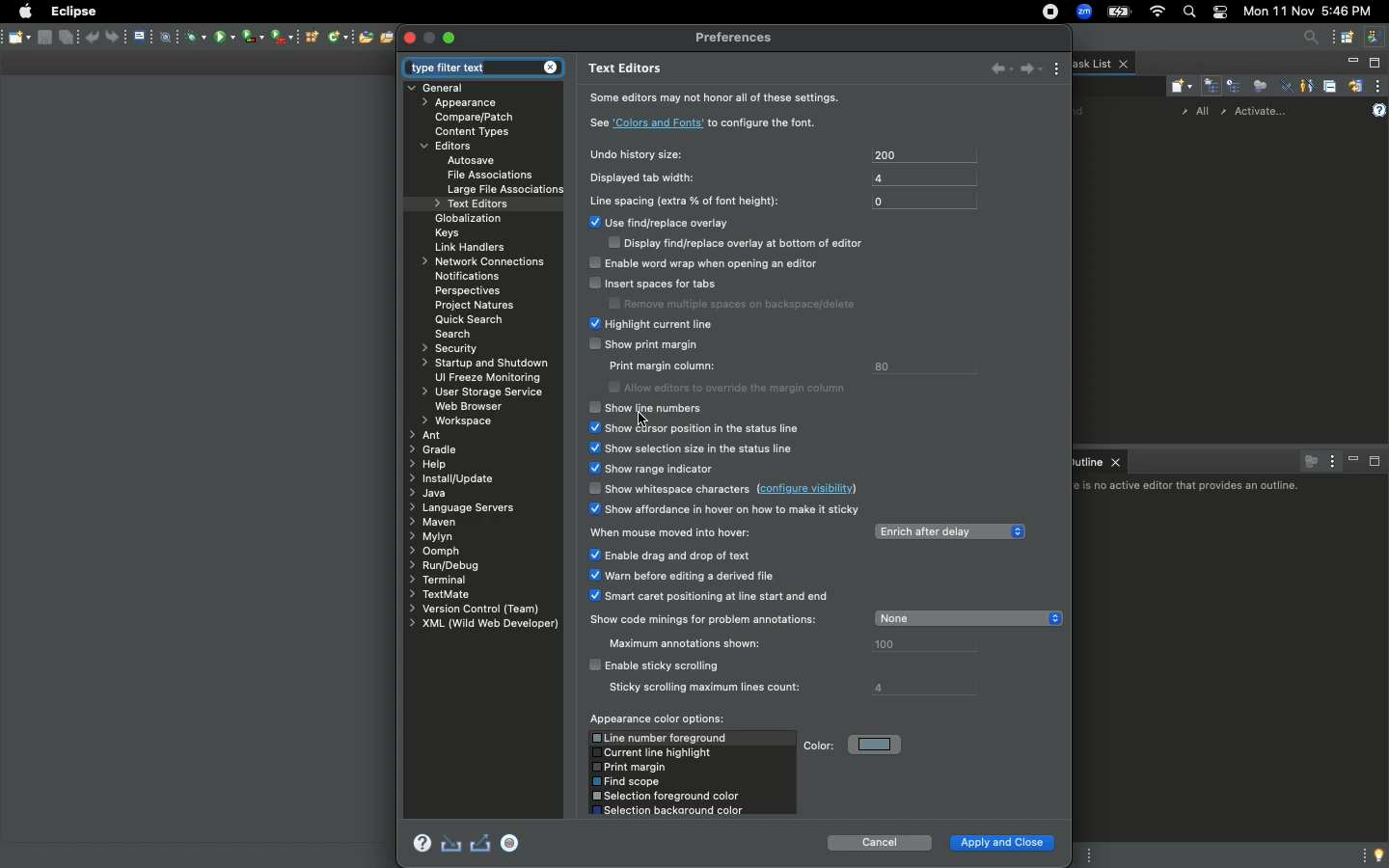 The width and height of the screenshot is (1389, 868). What do you see at coordinates (728, 511) in the screenshot?
I see `Show affordance in hover on how to make it sticky` at bounding box center [728, 511].